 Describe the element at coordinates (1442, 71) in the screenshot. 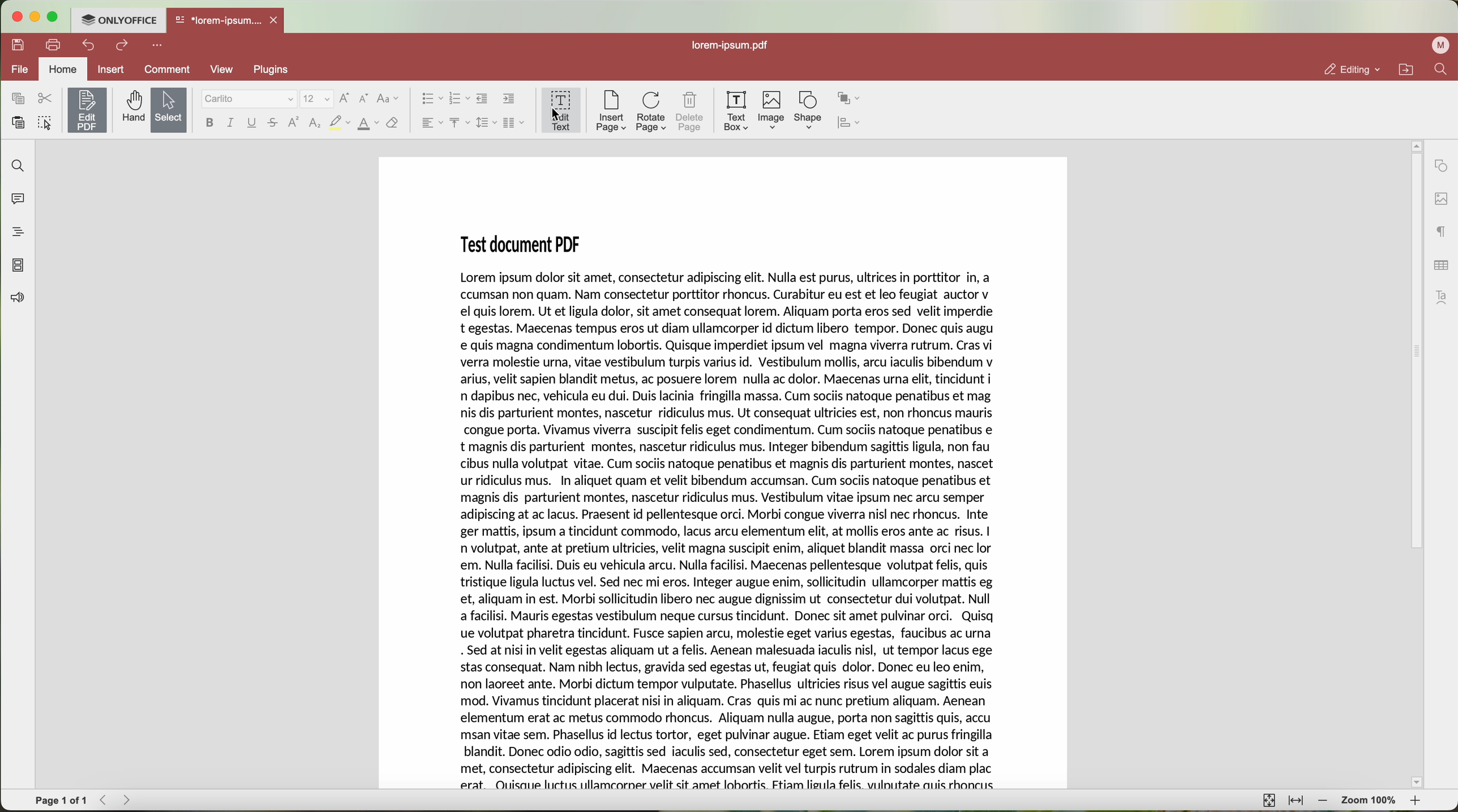

I see `find` at that location.